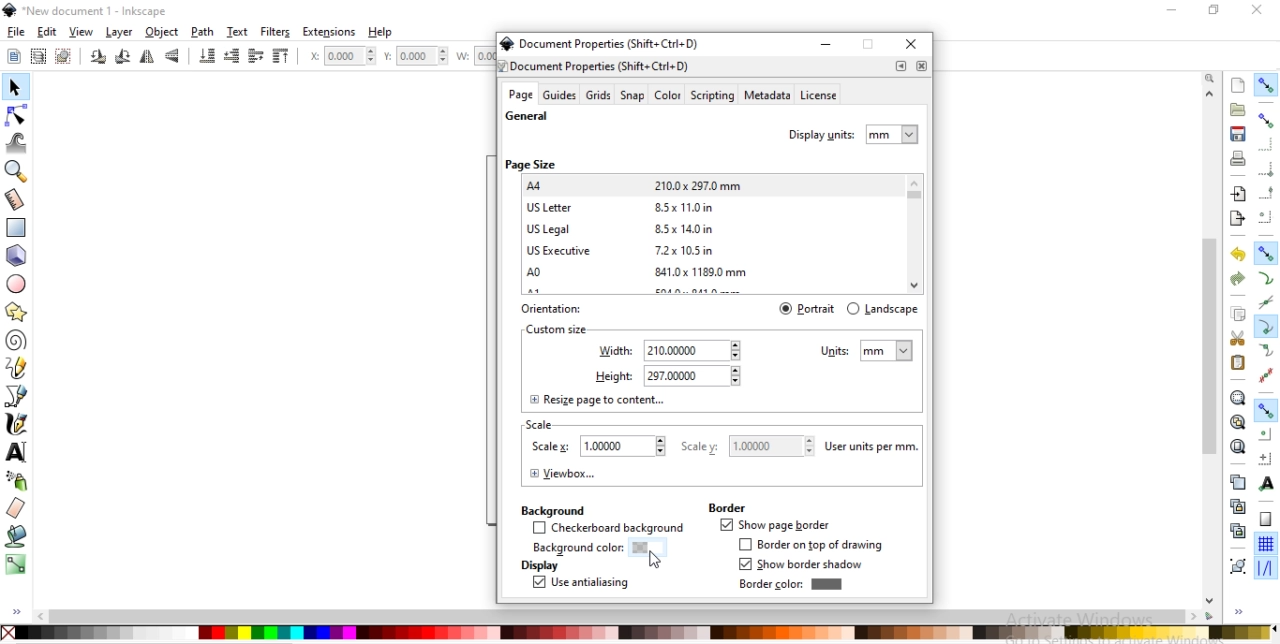  I want to click on open a document, so click(1236, 109).